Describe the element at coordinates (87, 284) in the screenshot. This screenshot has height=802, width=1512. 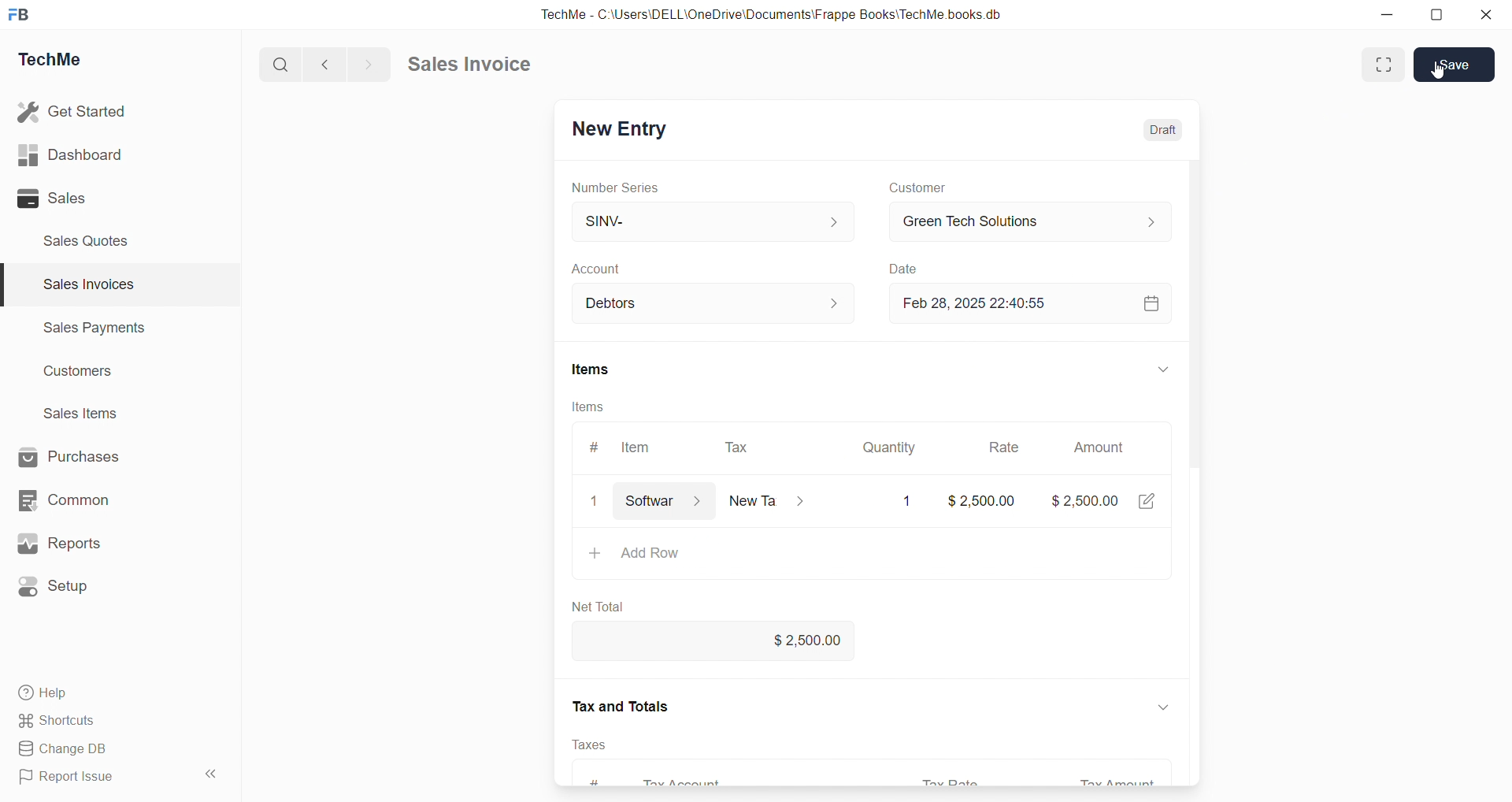
I see `Sales invoices` at that location.